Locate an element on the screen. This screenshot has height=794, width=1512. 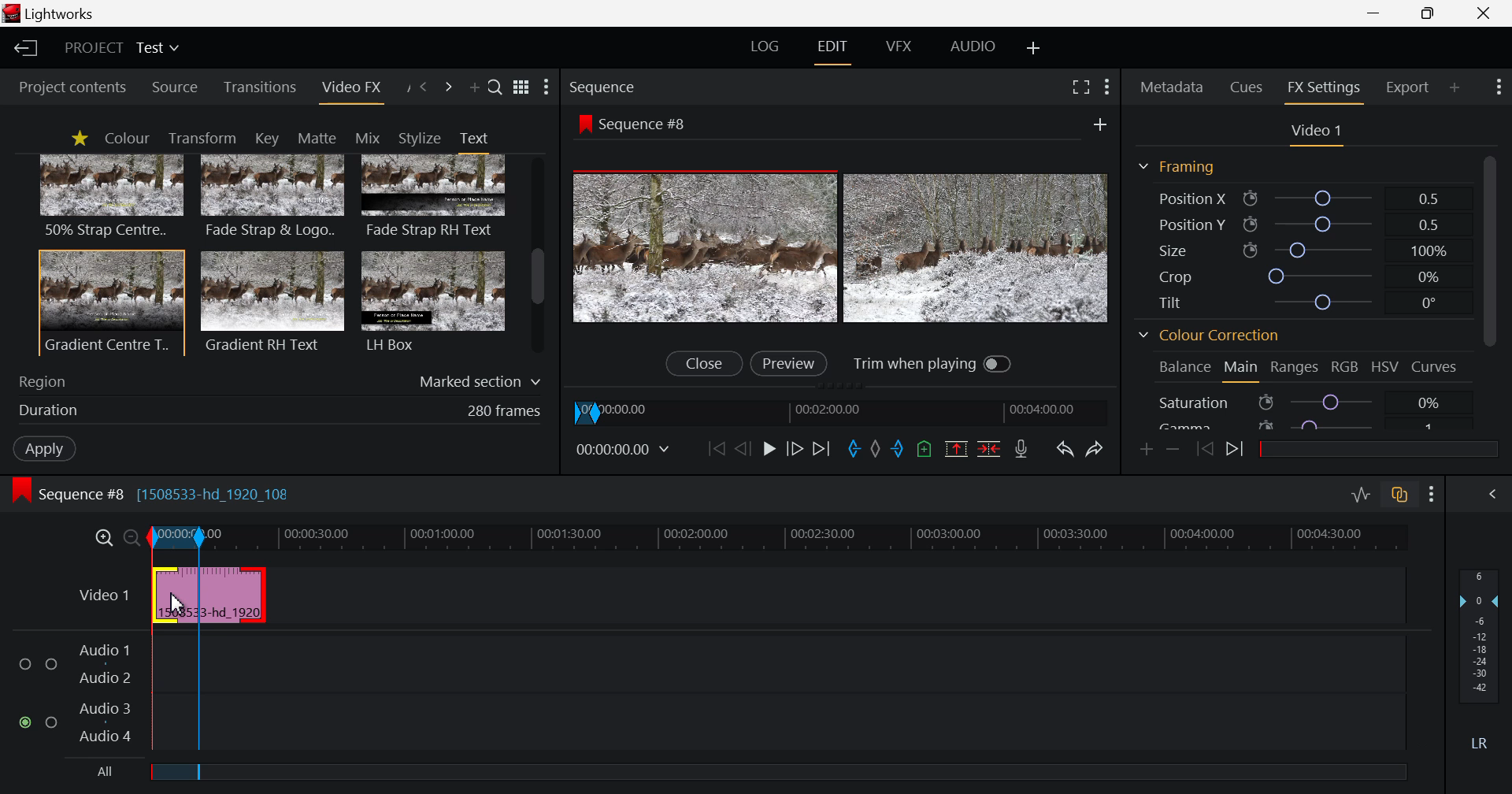
Toggle audio levels editing is located at coordinates (1364, 495).